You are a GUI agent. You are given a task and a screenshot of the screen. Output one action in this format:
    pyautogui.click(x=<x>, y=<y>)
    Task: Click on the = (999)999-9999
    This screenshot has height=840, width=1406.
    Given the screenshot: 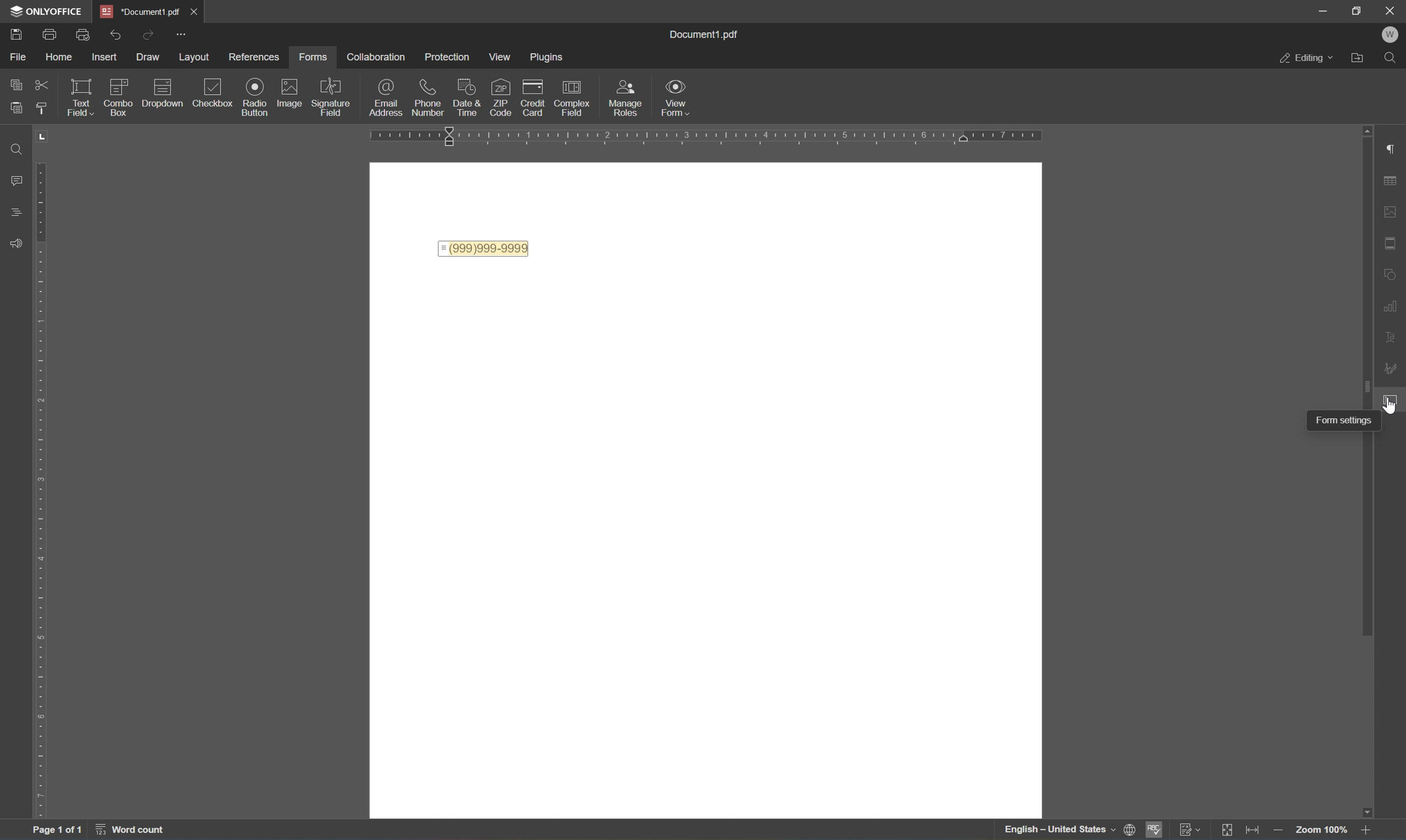 What is the action you would take?
    pyautogui.click(x=483, y=247)
    